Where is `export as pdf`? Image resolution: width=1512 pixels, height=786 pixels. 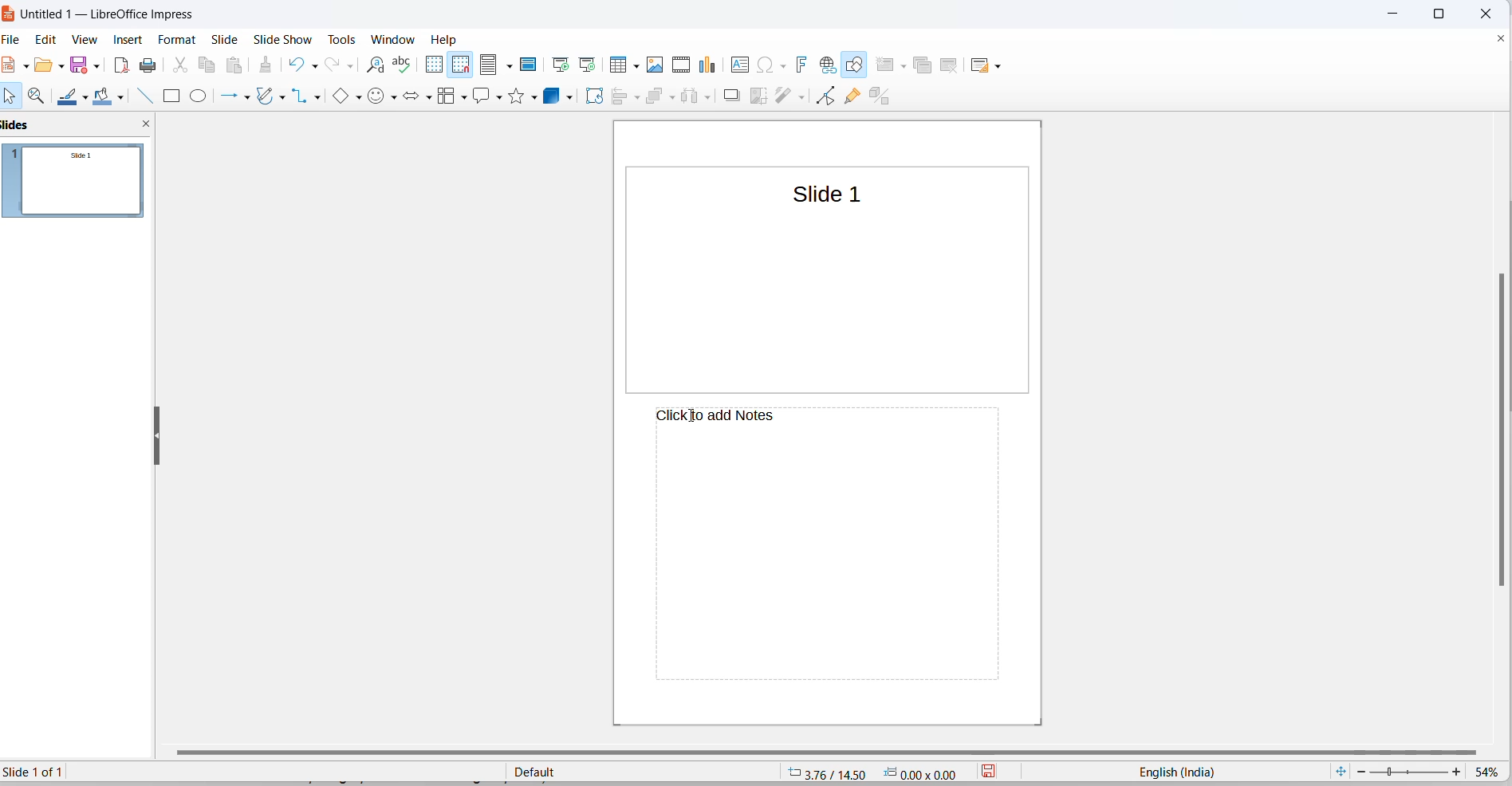 export as pdf is located at coordinates (121, 68).